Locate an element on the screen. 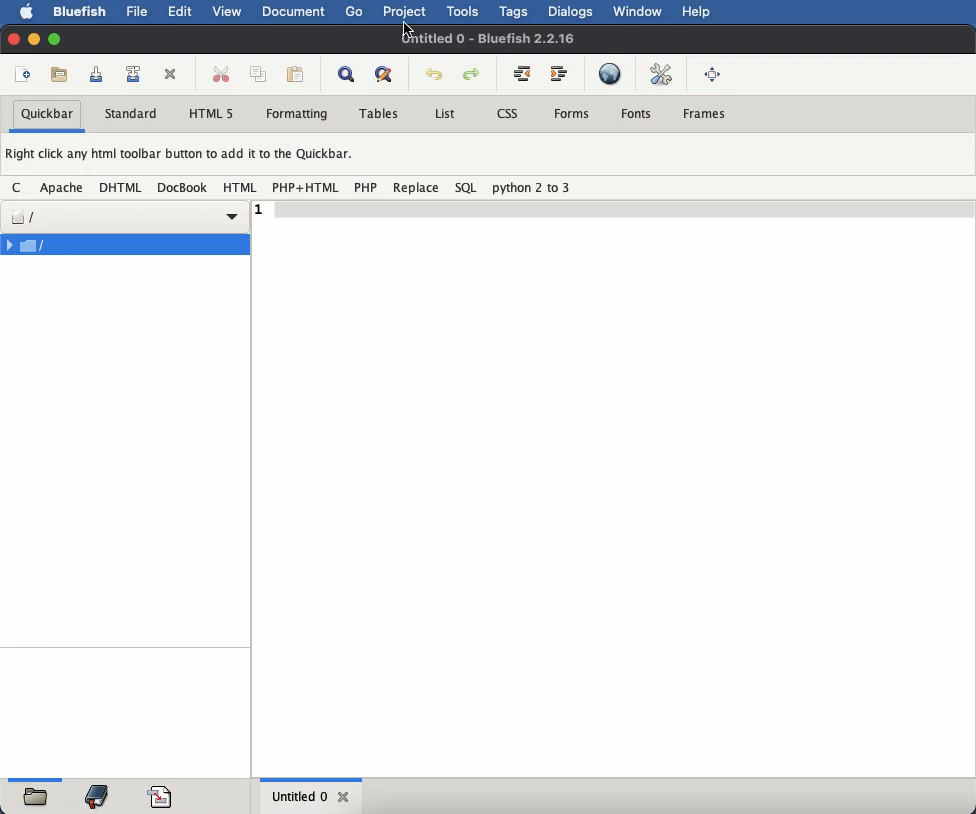 The height and width of the screenshot is (814, 976). python 2 to 3 is located at coordinates (532, 188).